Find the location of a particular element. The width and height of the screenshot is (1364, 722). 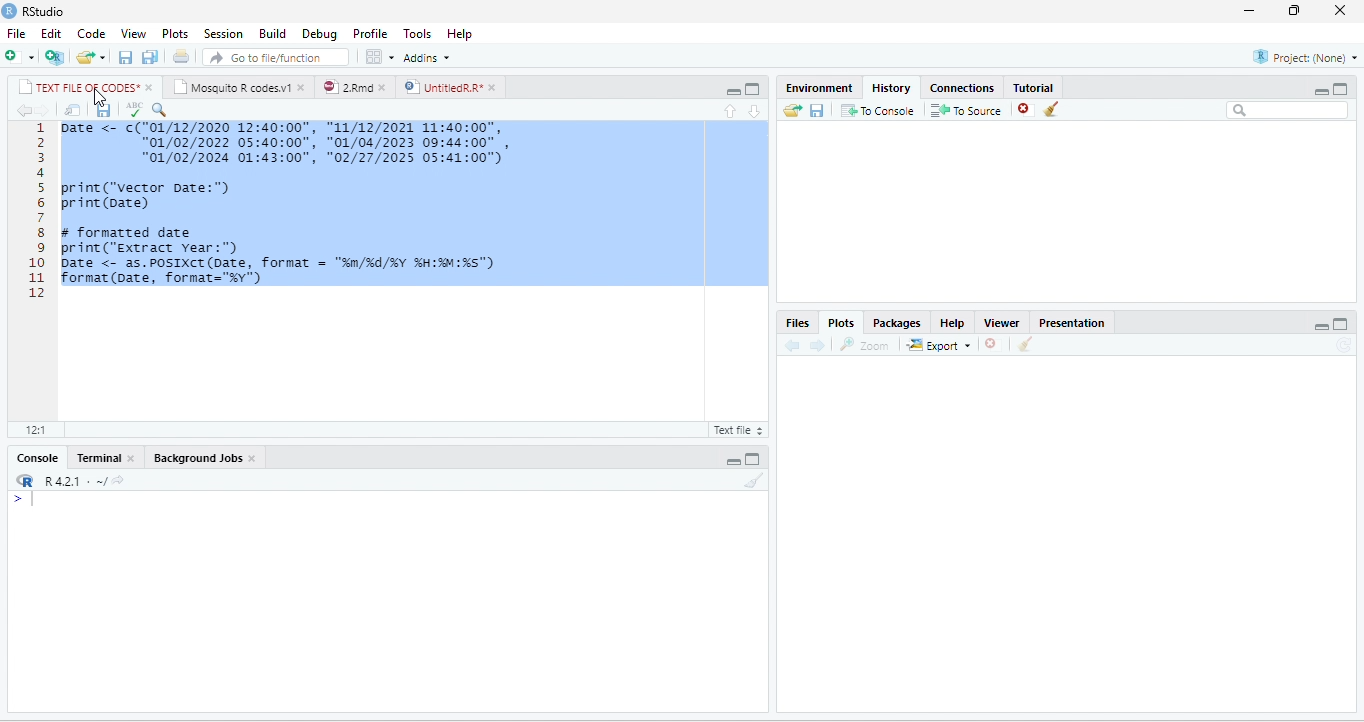

Background Jobs is located at coordinates (196, 458).